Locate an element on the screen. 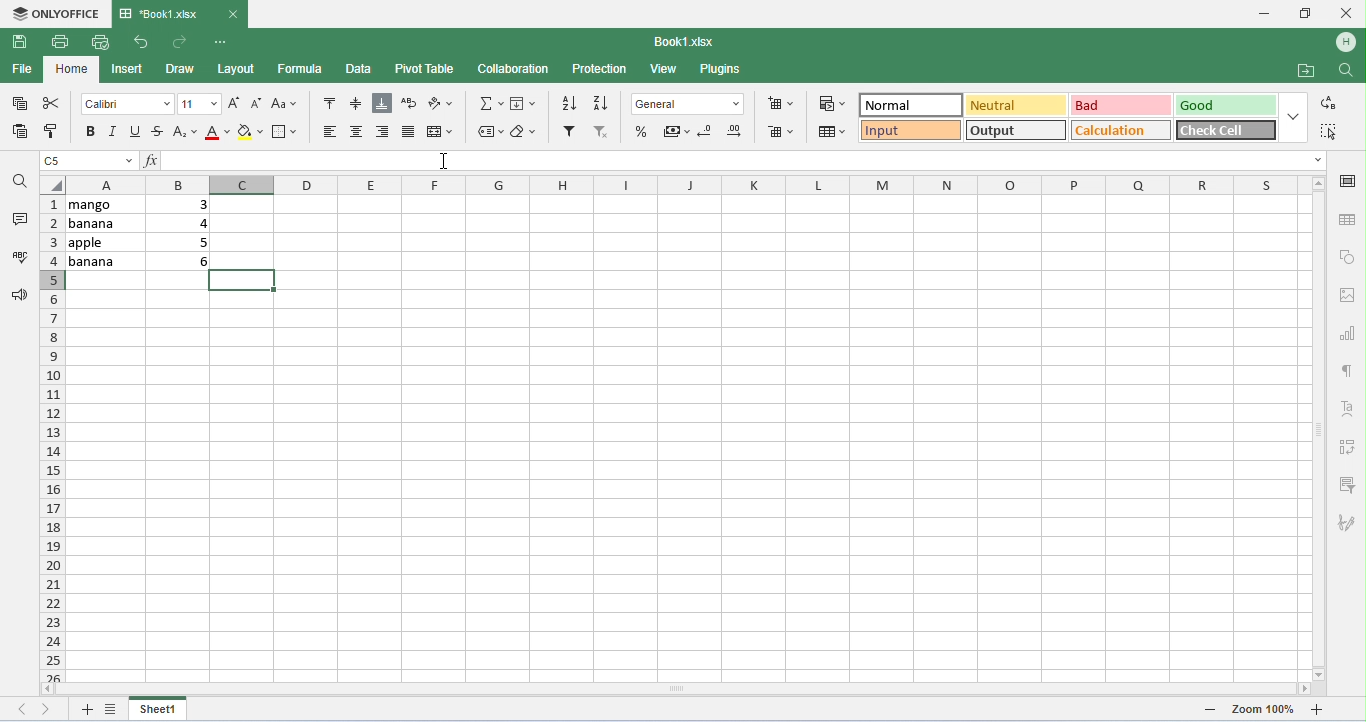 The height and width of the screenshot is (722, 1366). 4 is located at coordinates (197, 223).